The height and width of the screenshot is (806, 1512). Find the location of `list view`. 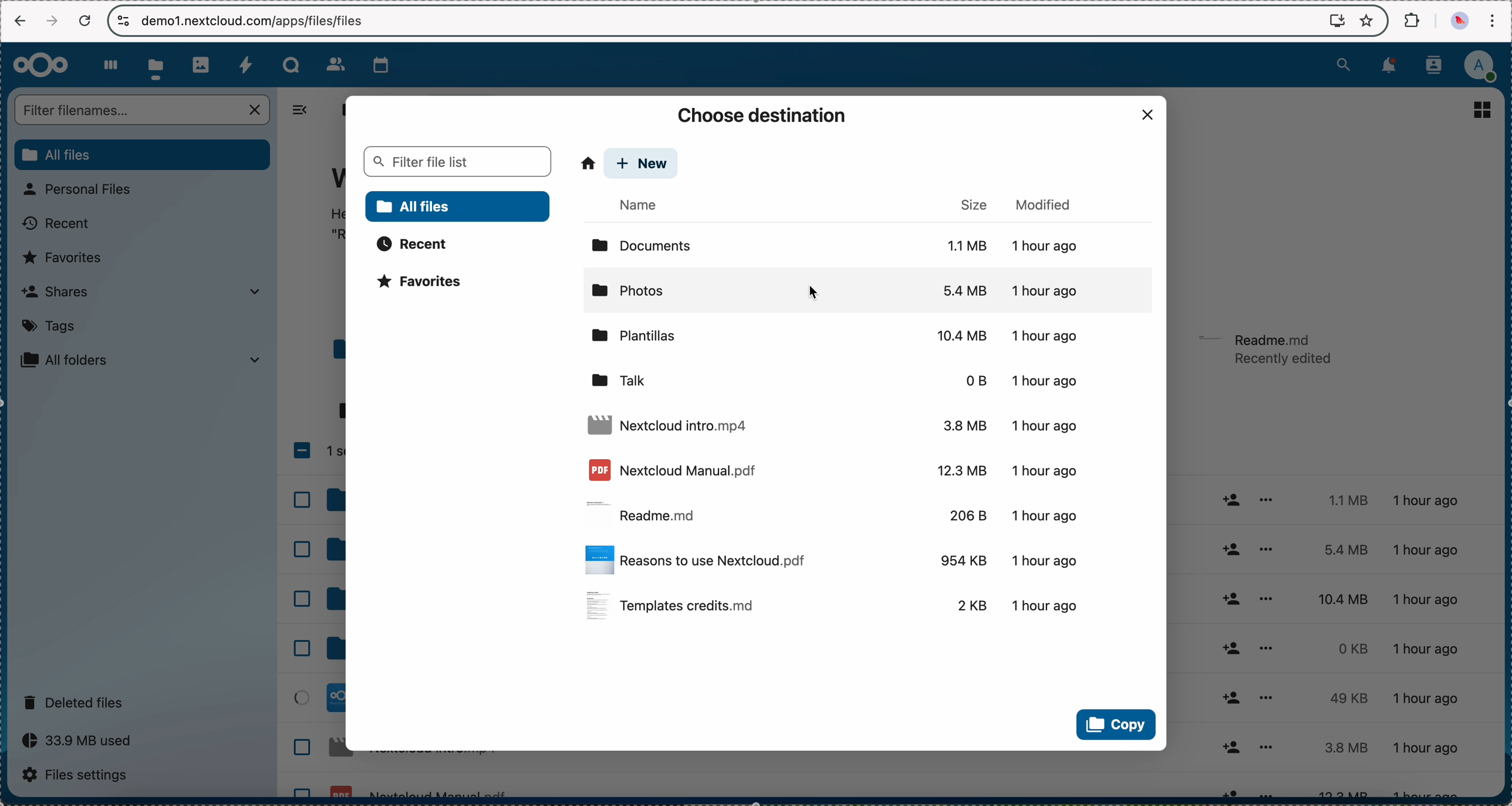

list view is located at coordinates (1484, 110).